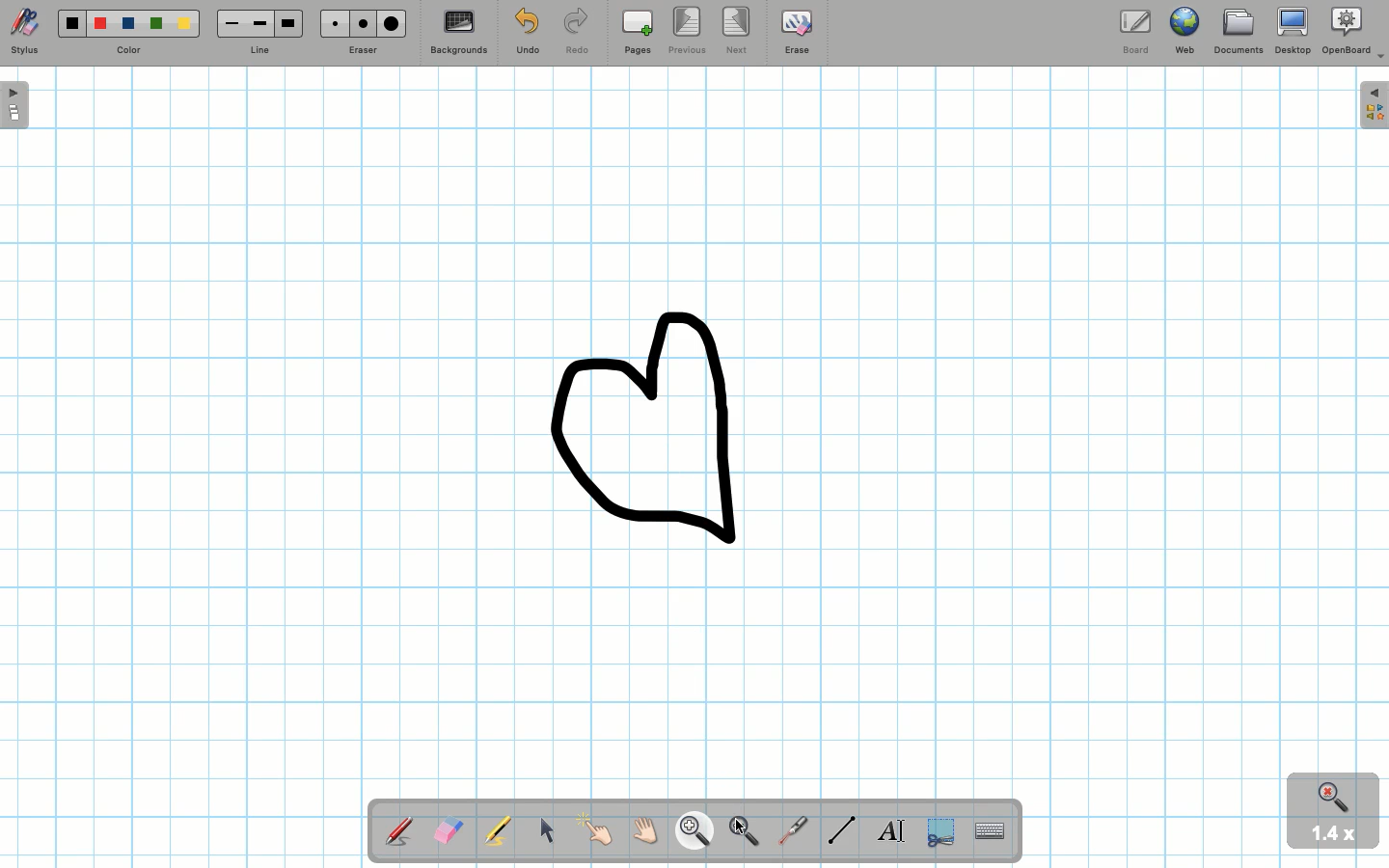 This screenshot has width=1389, height=868. I want to click on Desktop, so click(1292, 31).